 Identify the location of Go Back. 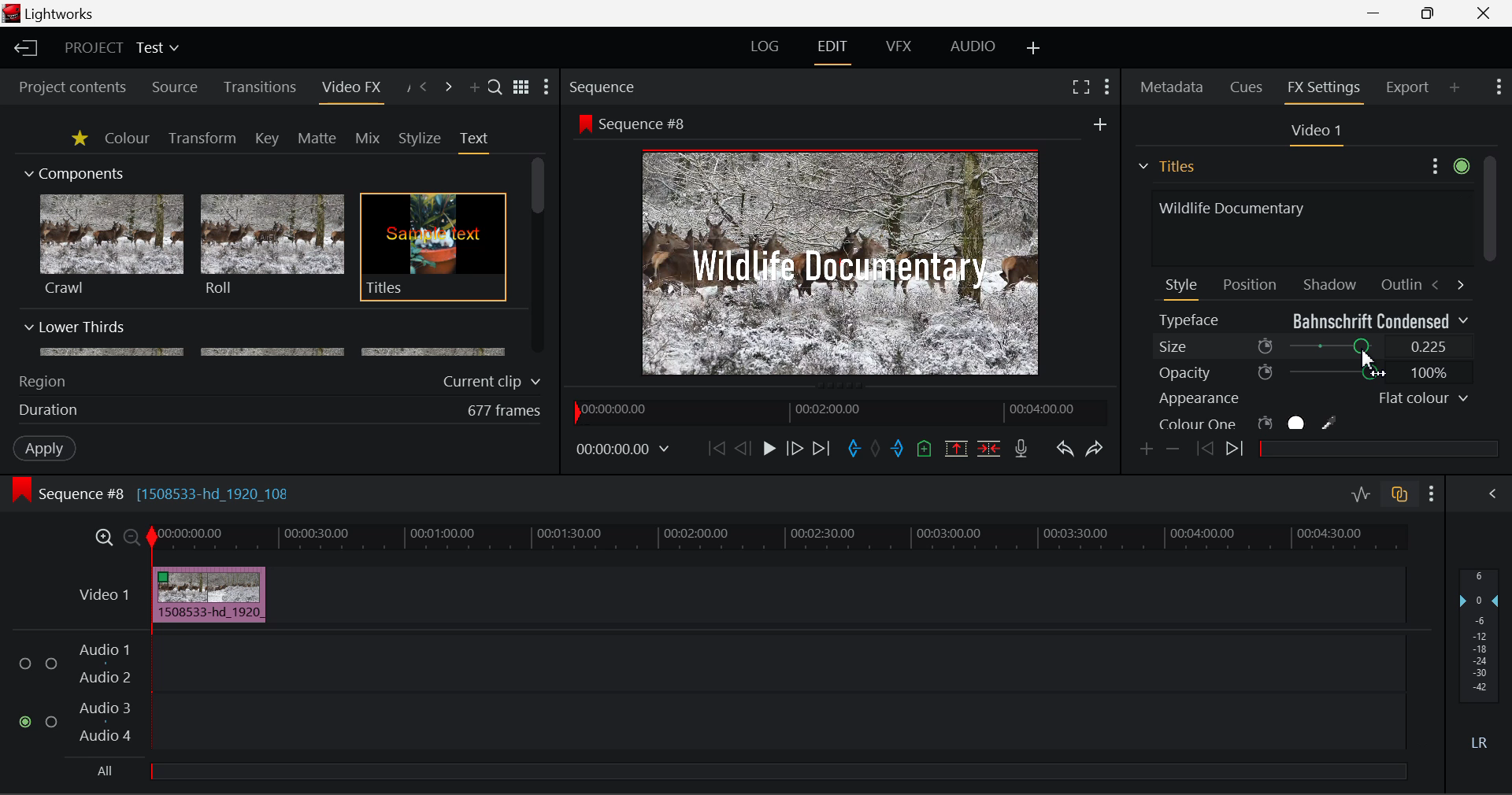
(743, 448).